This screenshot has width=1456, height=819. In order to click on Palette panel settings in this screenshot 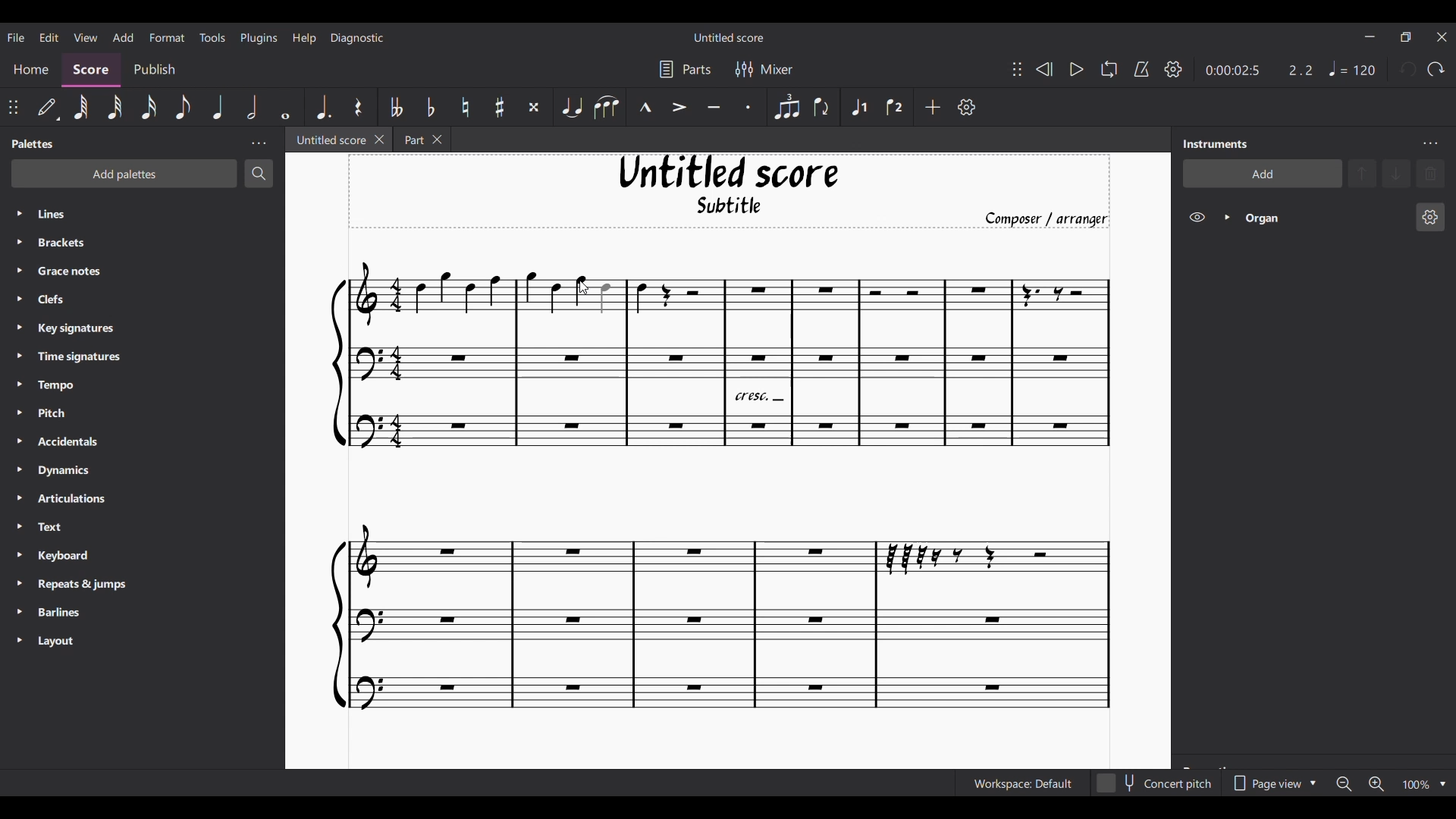, I will do `click(259, 143)`.